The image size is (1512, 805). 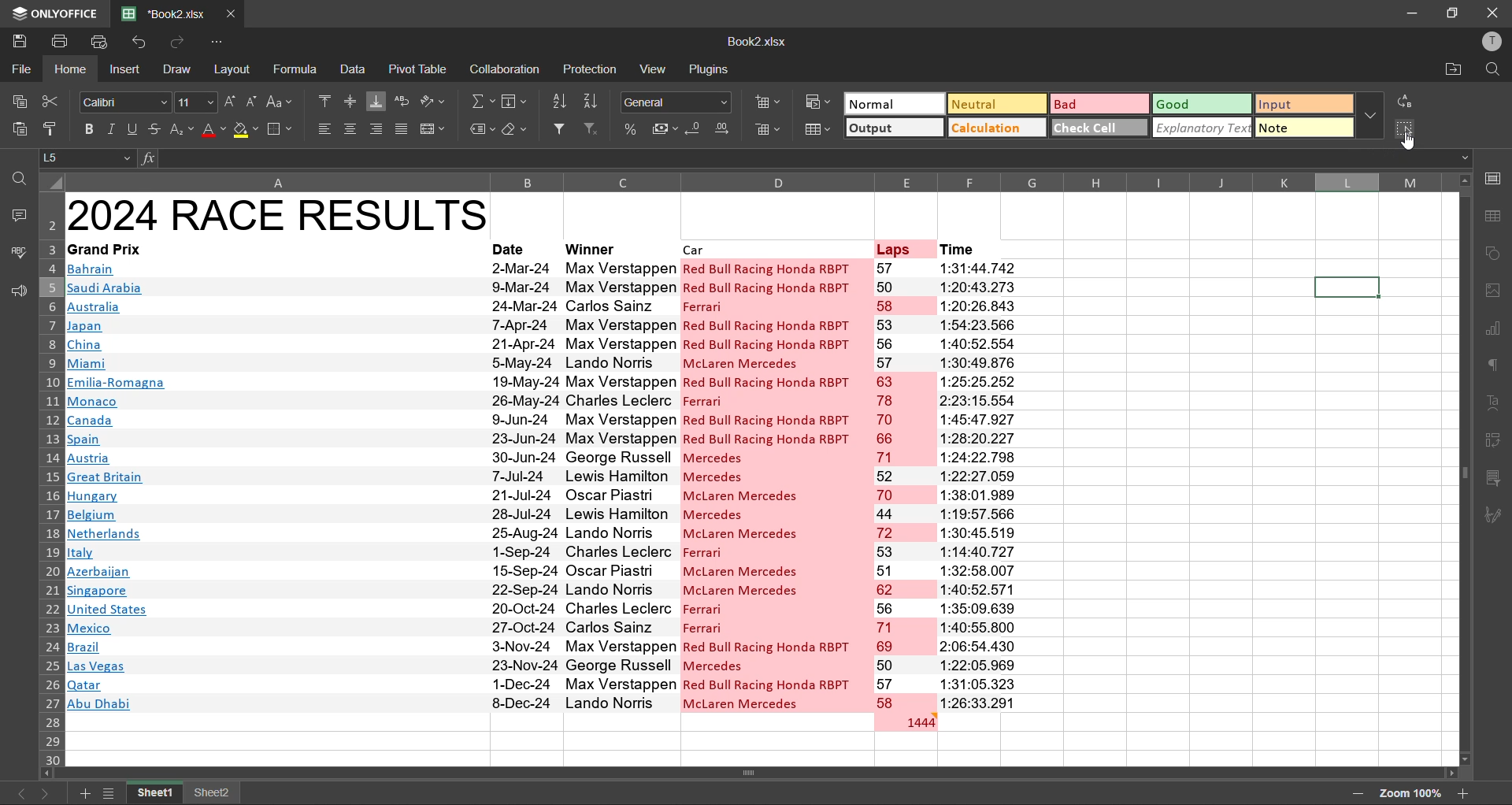 What do you see at coordinates (23, 103) in the screenshot?
I see `copy` at bounding box center [23, 103].